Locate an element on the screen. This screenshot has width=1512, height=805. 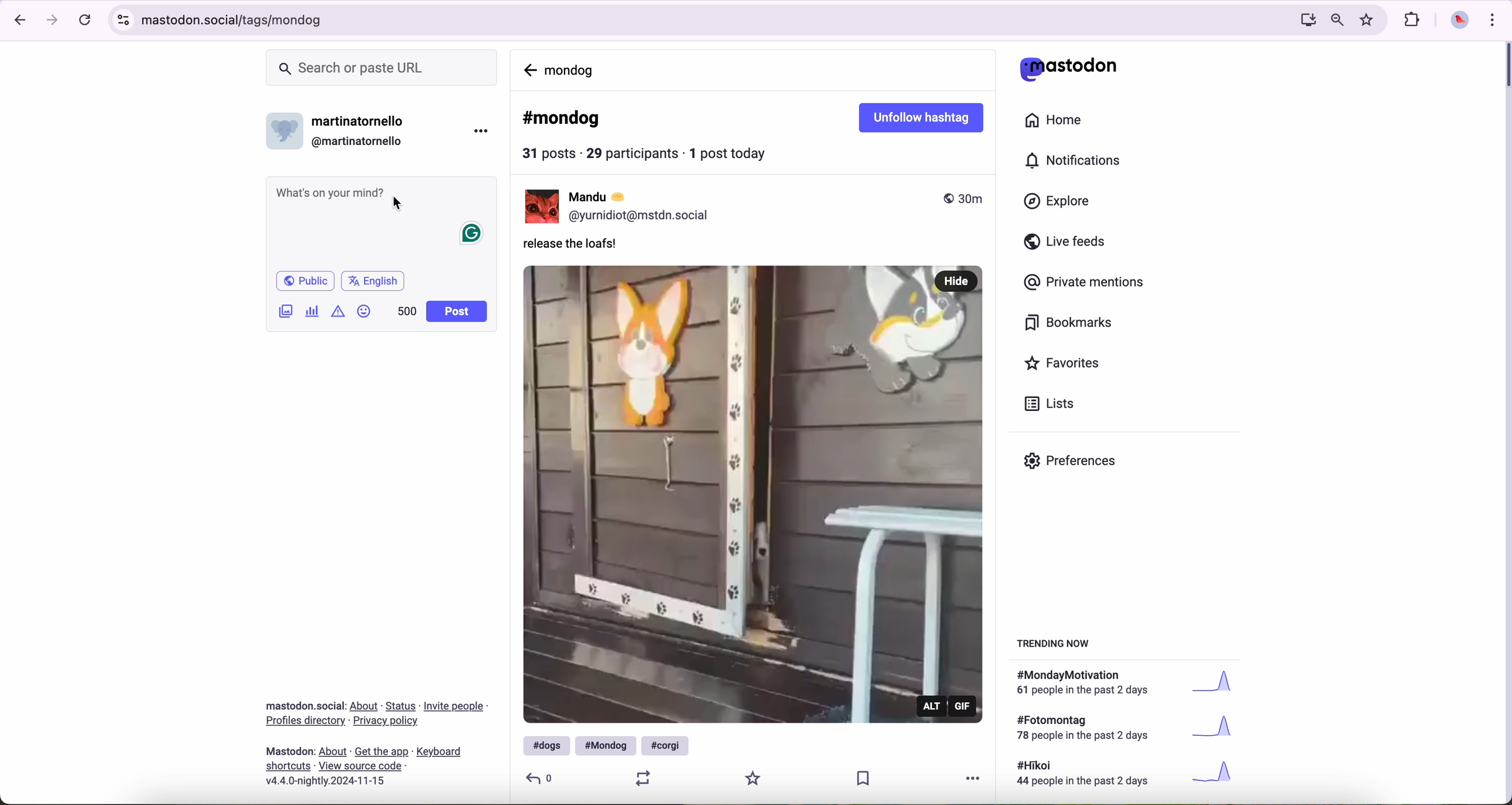
navigate back is located at coordinates (18, 21).